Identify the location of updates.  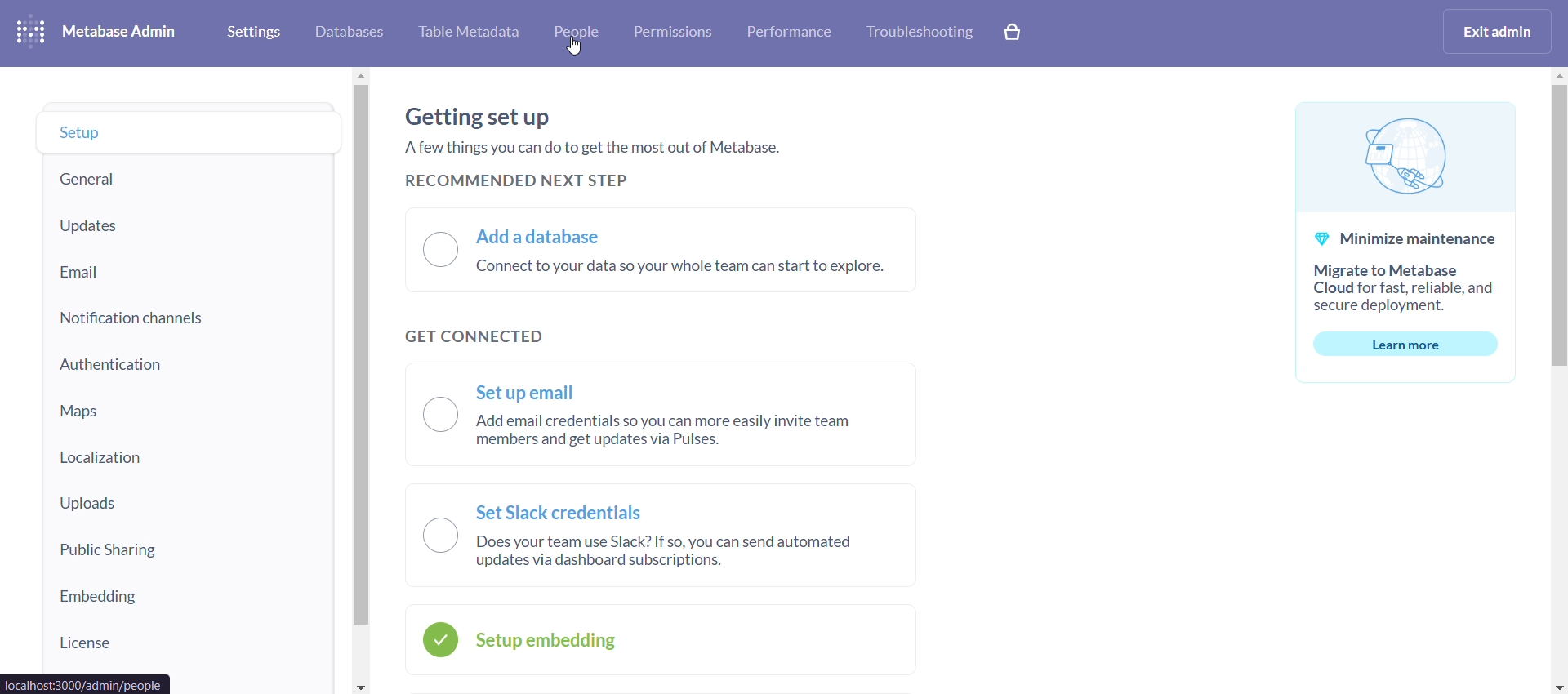
(187, 227).